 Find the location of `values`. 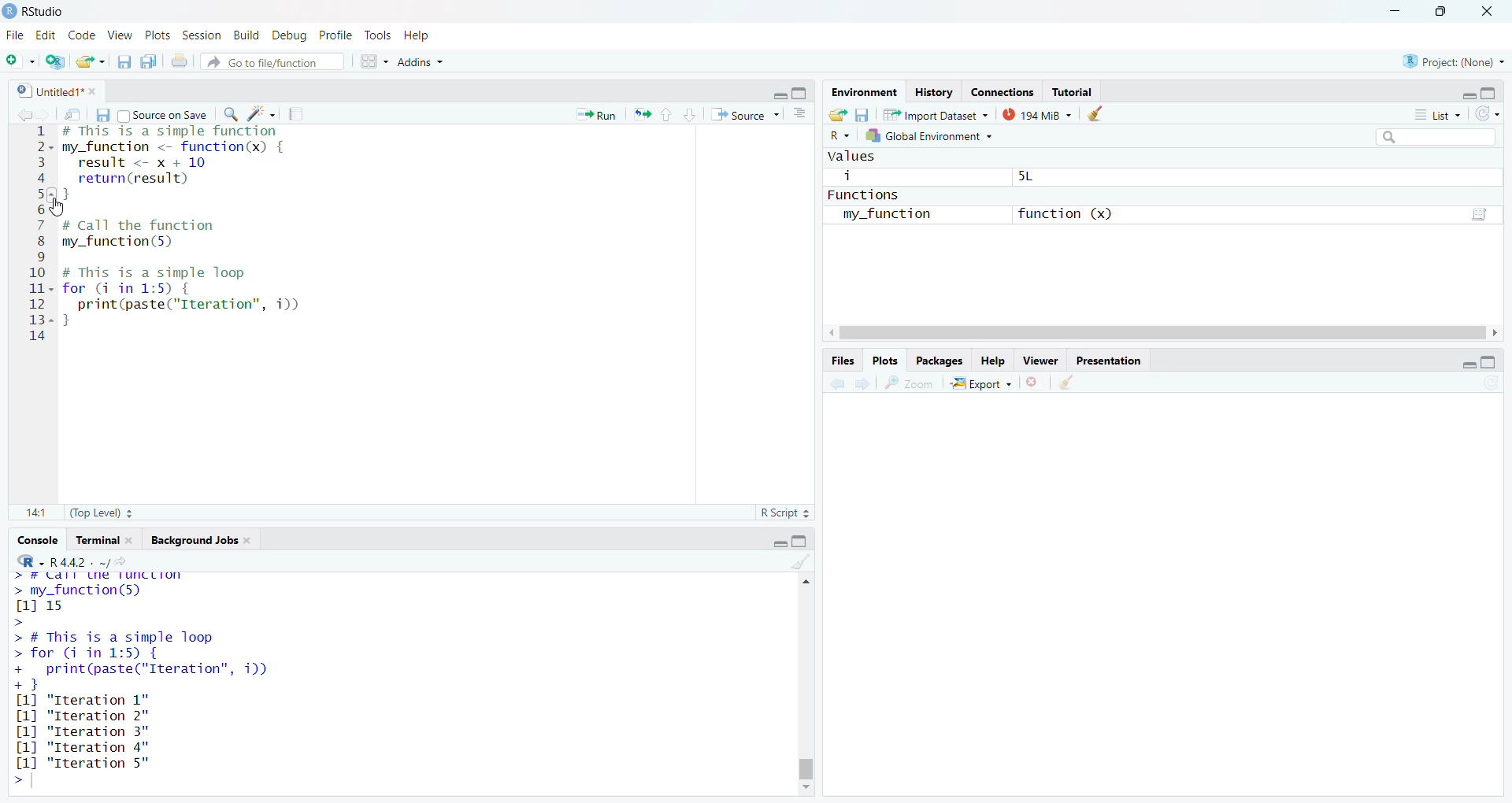

values is located at coordinates (853, 157).